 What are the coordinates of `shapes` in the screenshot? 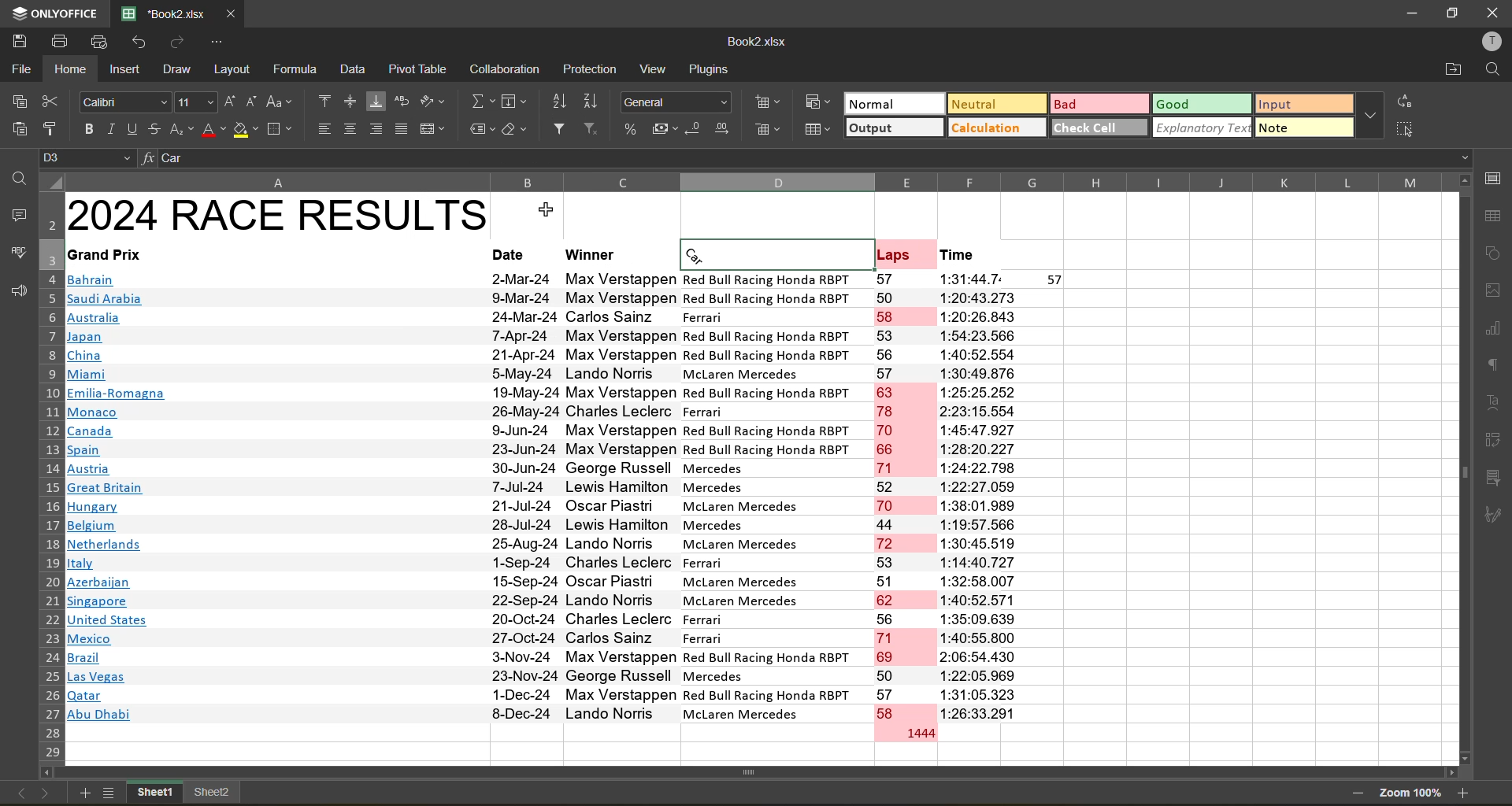 It's located at (1495, 250).